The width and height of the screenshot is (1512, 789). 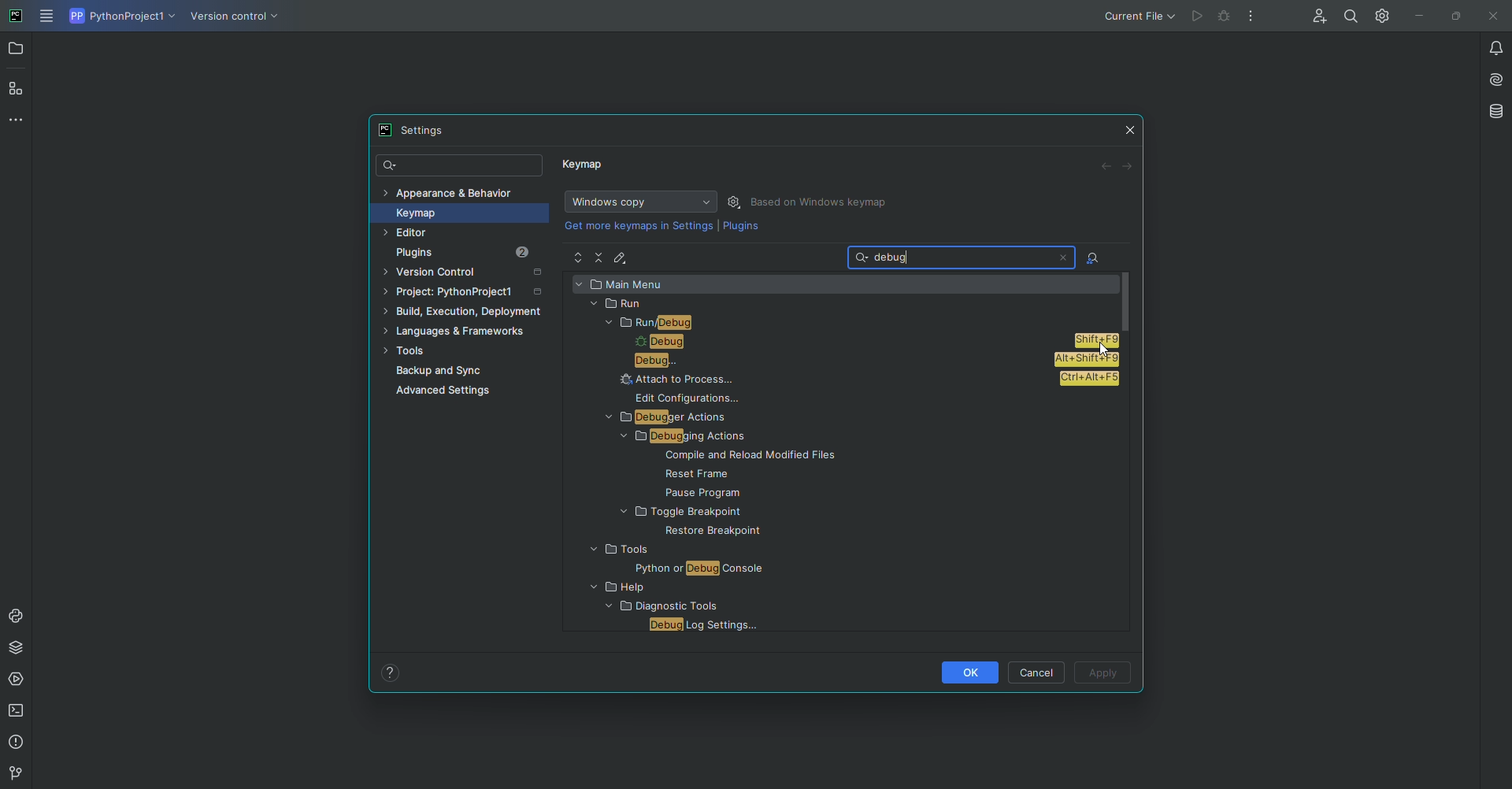 What do you see at coordinates (585, 168) in the screenshot?
I see `Keymap` at bounding box center [585, 168].